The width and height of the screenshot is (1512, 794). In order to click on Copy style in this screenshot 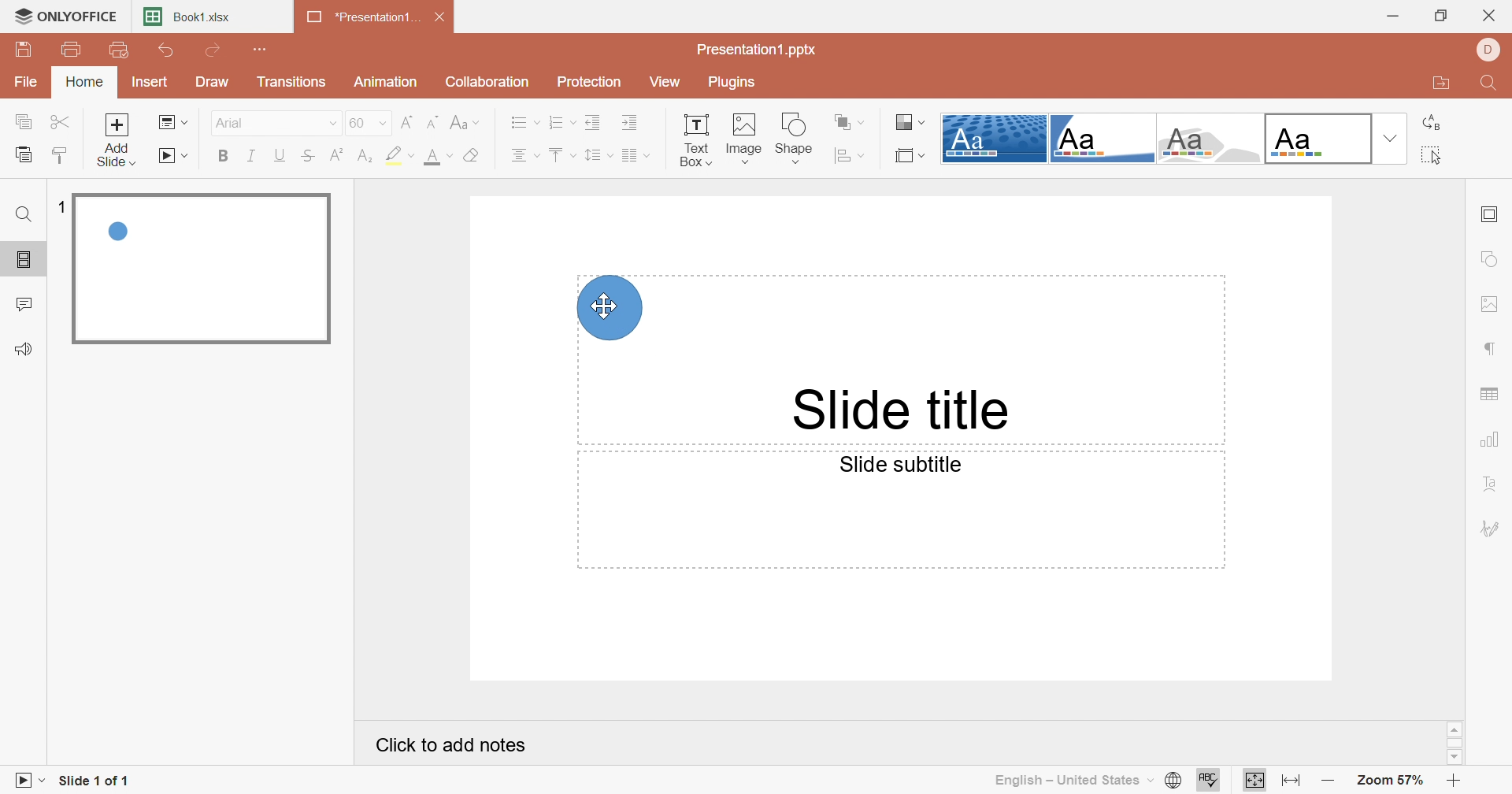, I will do `click(60, 154)`.